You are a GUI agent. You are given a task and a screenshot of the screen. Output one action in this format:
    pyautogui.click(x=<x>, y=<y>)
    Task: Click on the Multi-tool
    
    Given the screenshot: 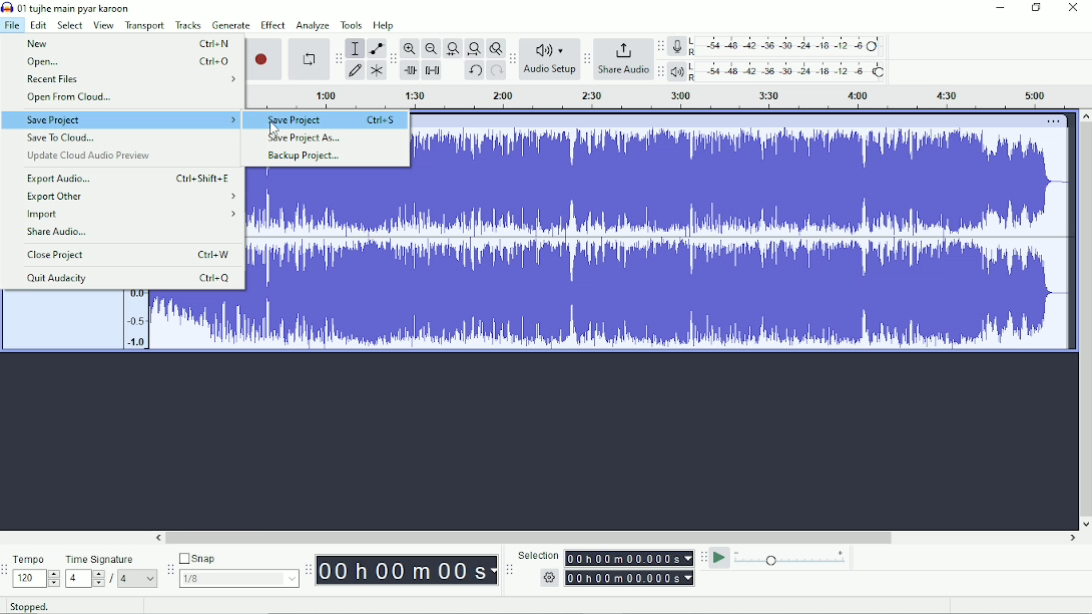 What is the action you would take?
    pyautogui.click(x=375, y=72)
    